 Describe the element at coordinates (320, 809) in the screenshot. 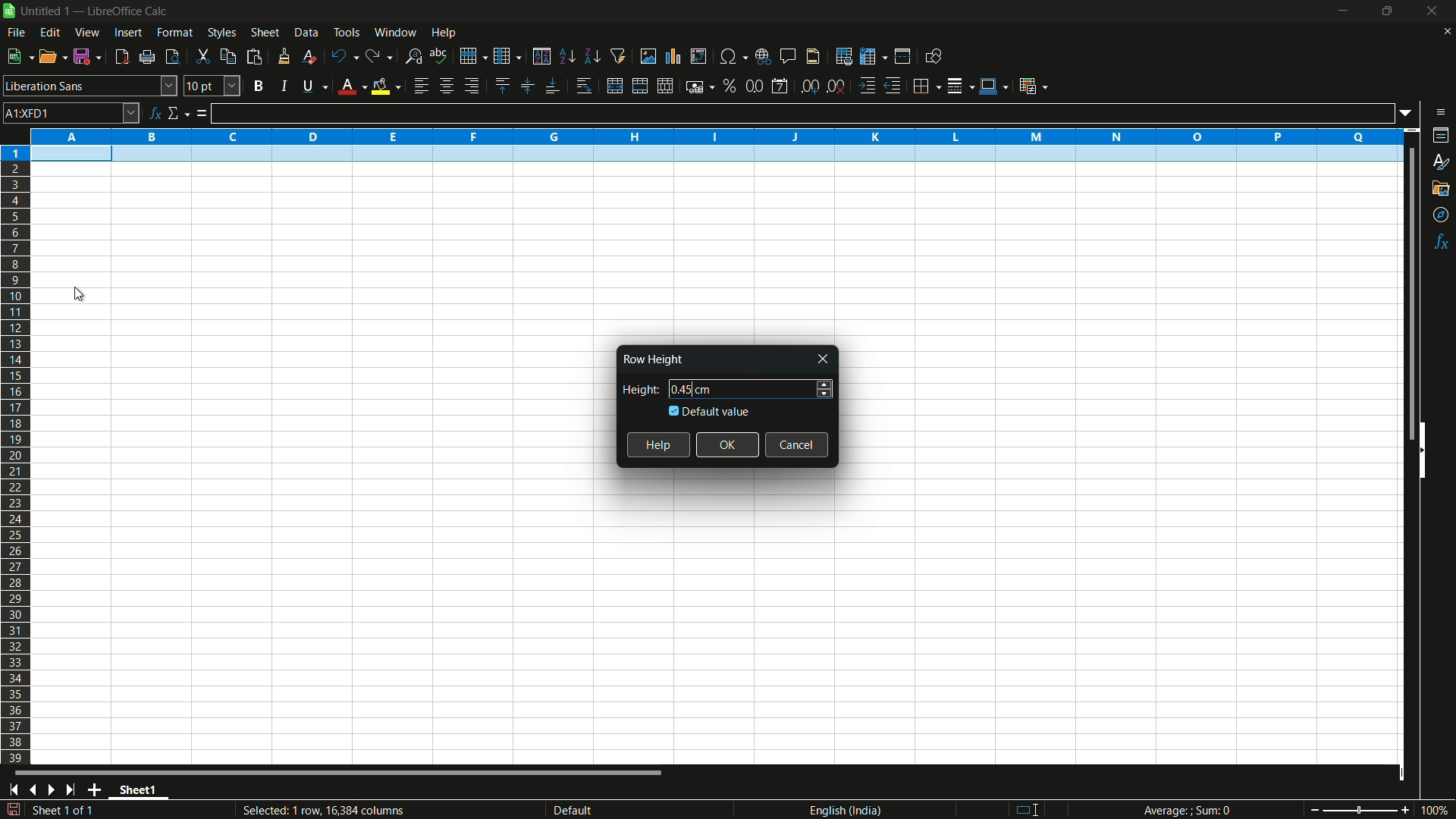

I see `Selected: 1 row, 16,384 columns` at that location.